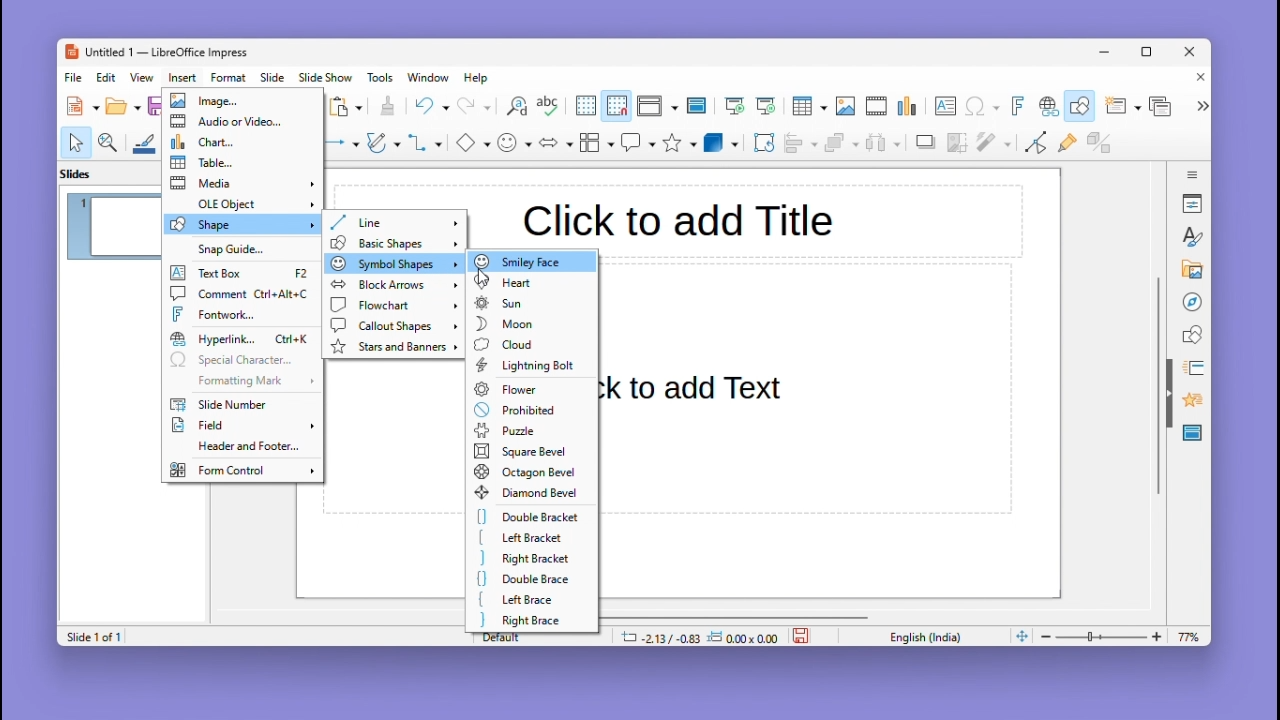  Describe the element at coordinates (433, 77) in the screenshot. I see `Window` at that location.